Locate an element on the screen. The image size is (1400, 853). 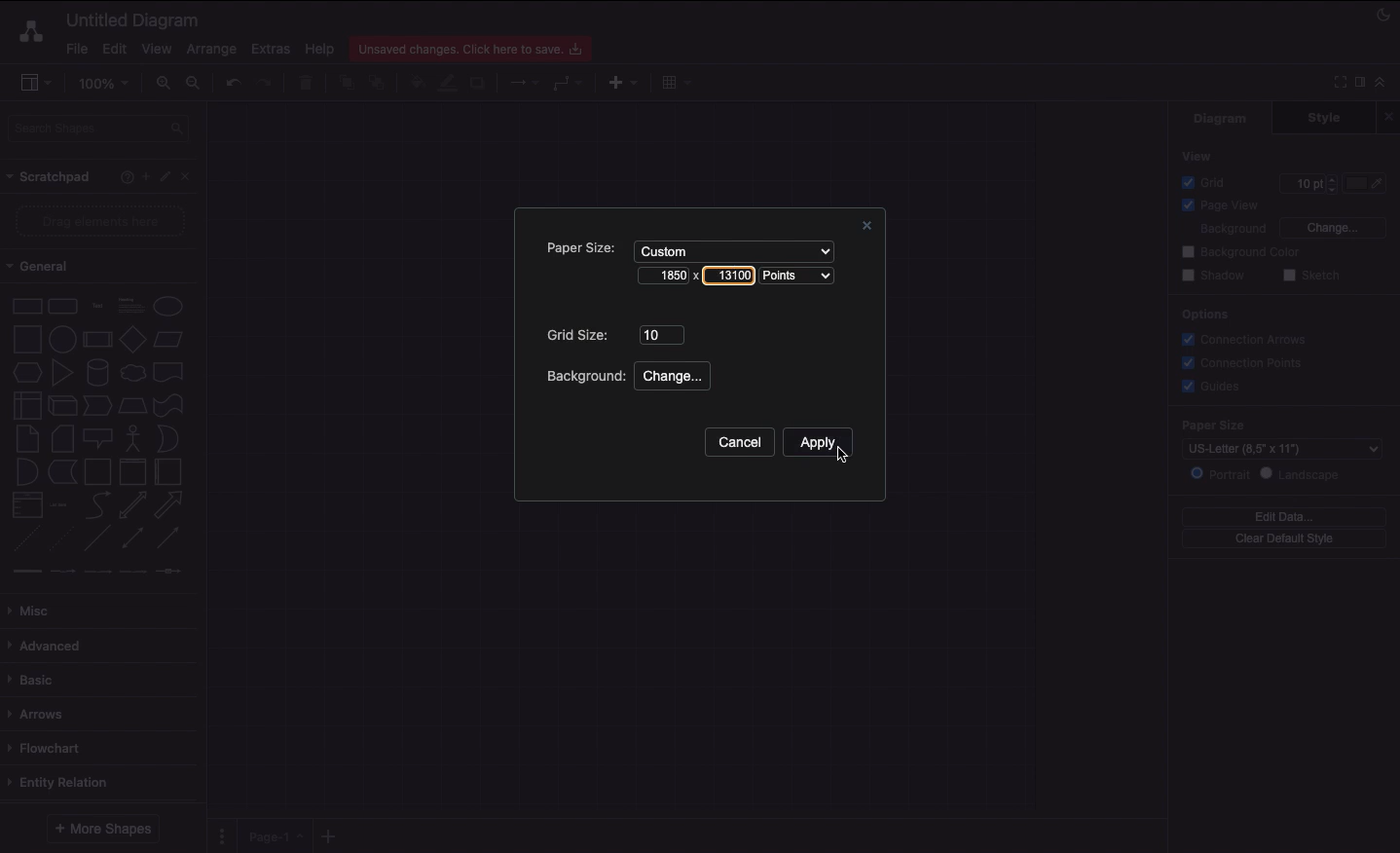
Help is located at coordinates (123, 176).